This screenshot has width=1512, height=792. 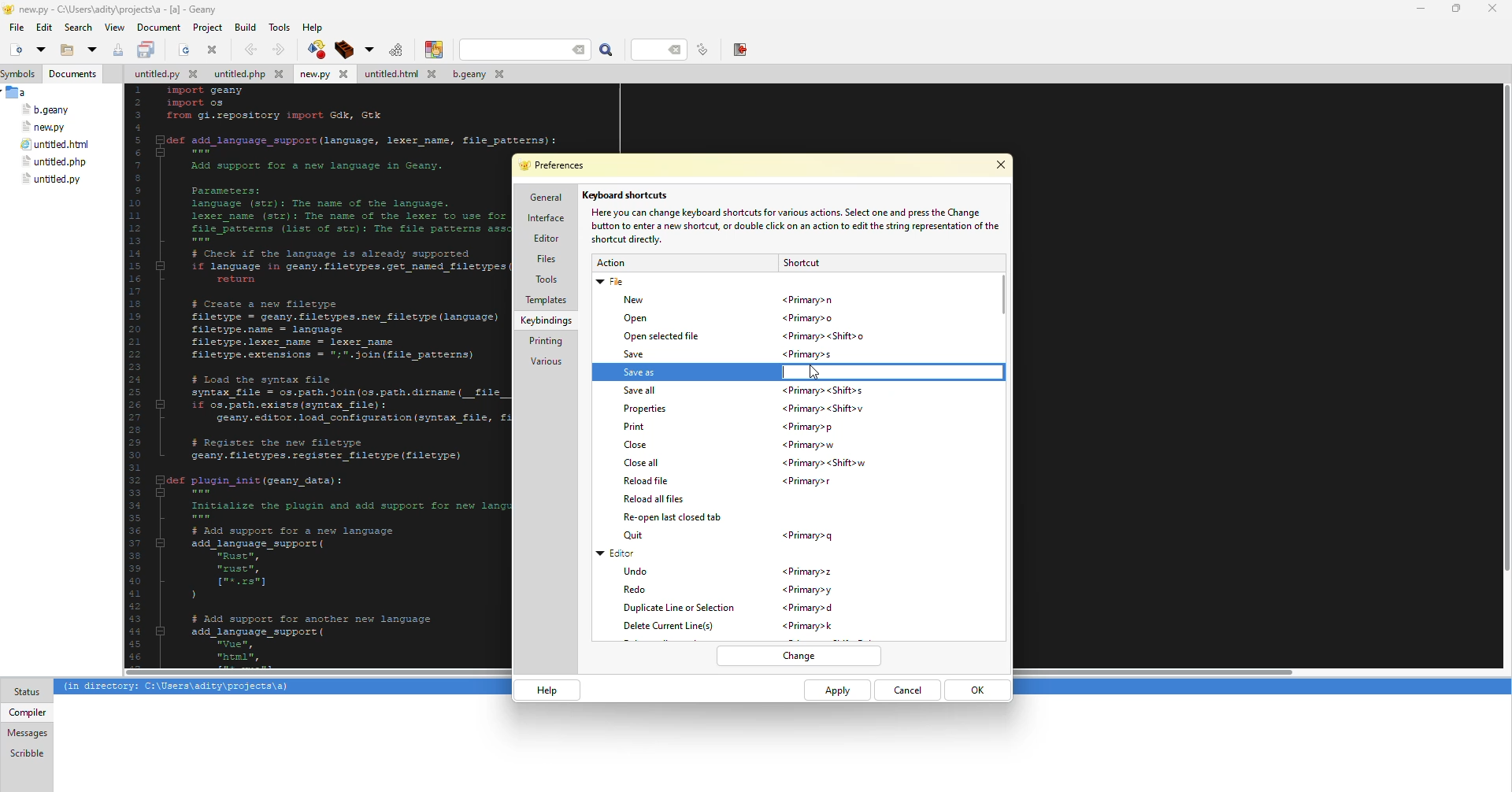 What do you see at coordinates (118, 50) in the screenshot?
I see `save` at bounding box center [118, 50].